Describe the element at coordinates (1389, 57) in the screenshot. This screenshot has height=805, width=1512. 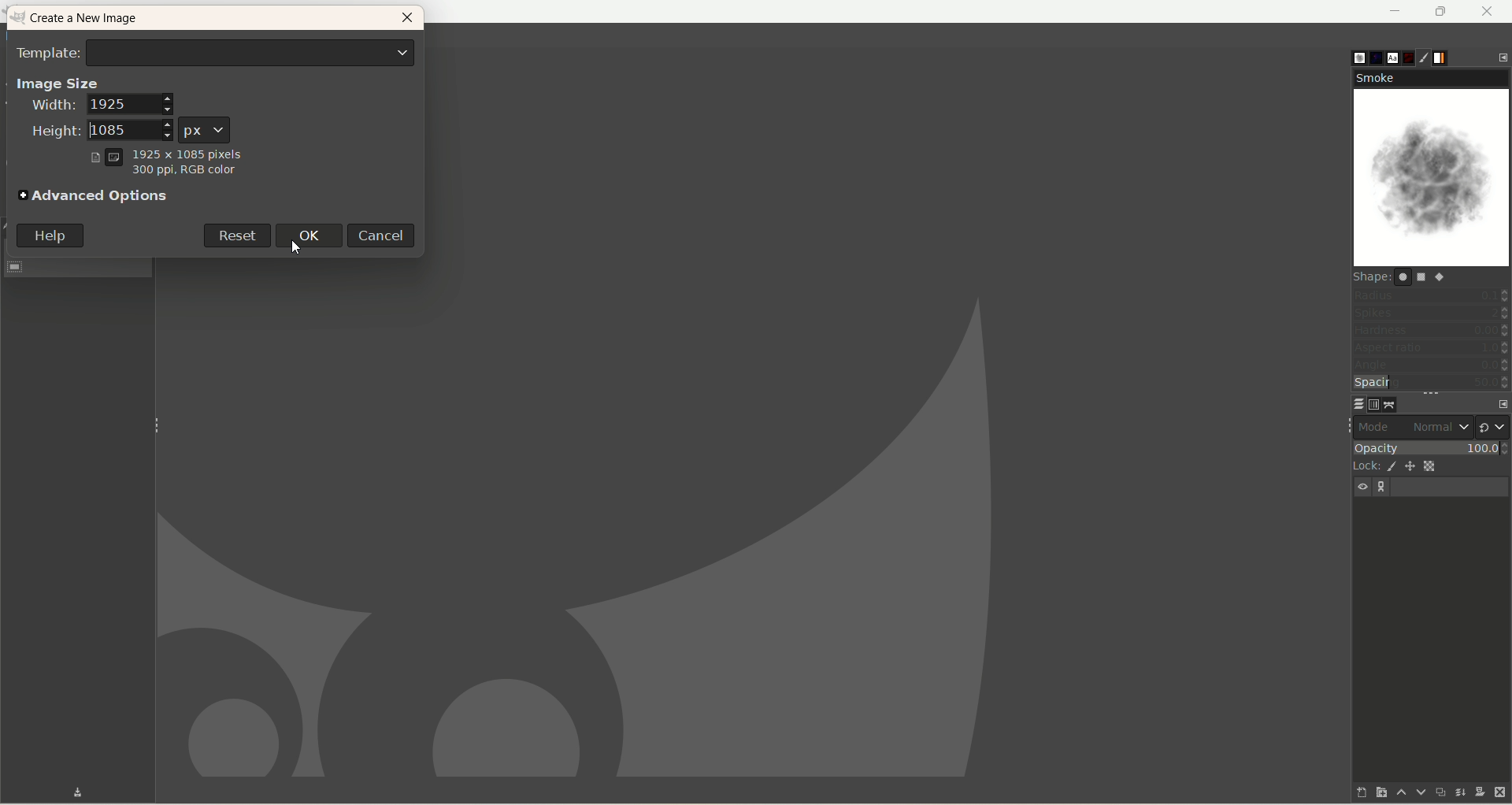
I see `font` at that location.